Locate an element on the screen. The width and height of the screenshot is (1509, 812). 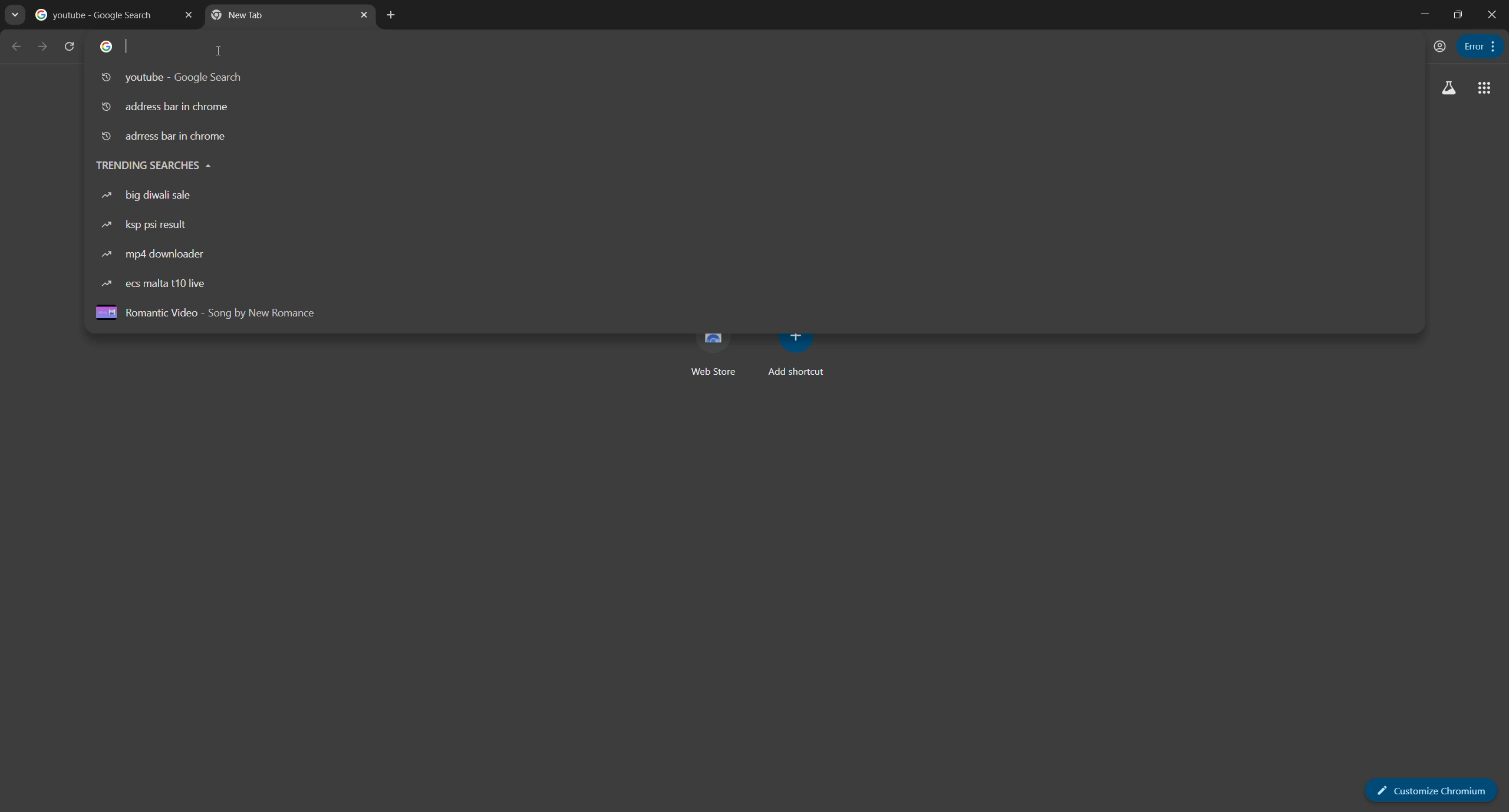
web store shortcut is located at coordinates (710, 358).